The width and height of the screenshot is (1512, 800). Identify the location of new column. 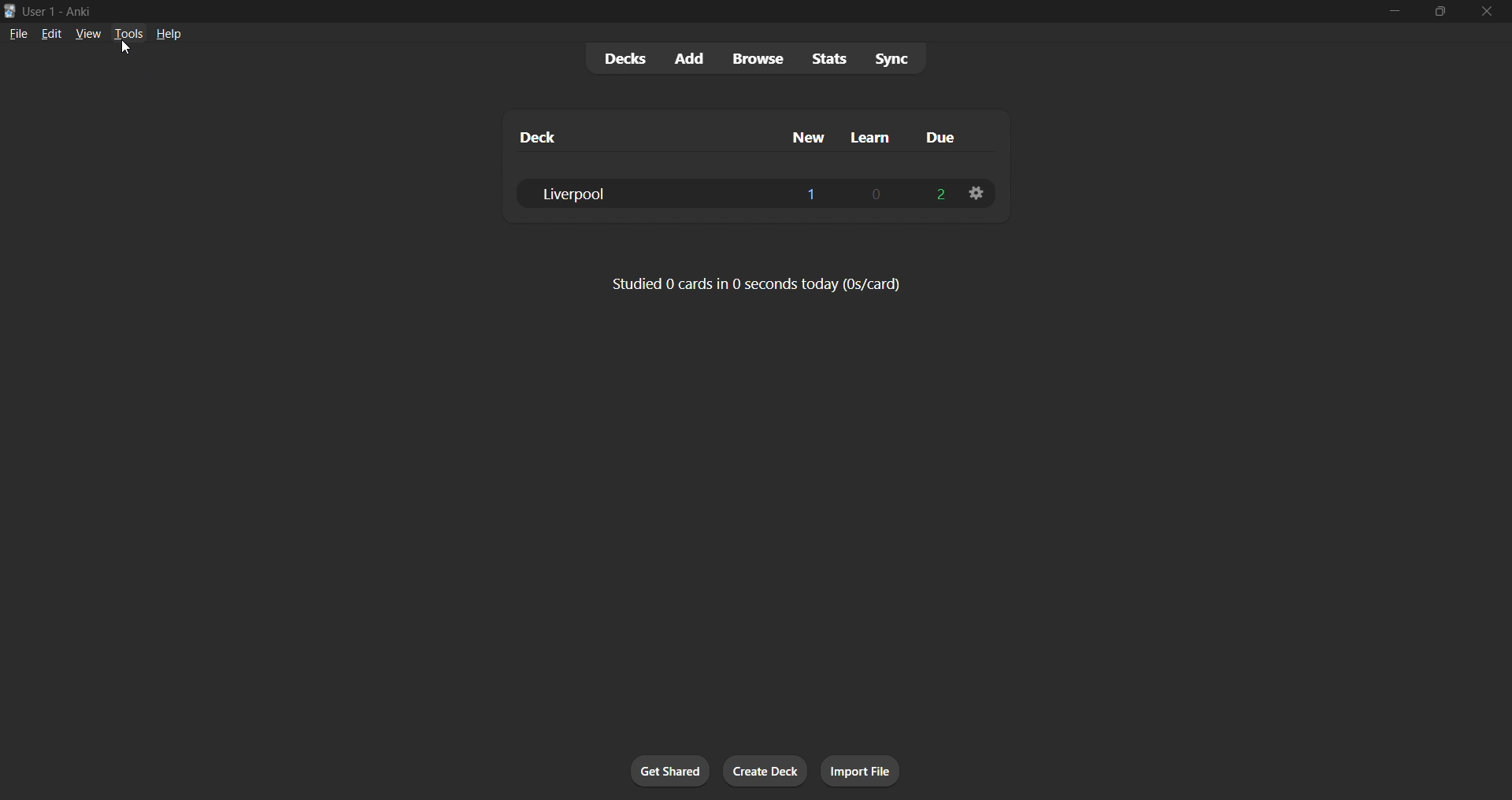
(809, 139).